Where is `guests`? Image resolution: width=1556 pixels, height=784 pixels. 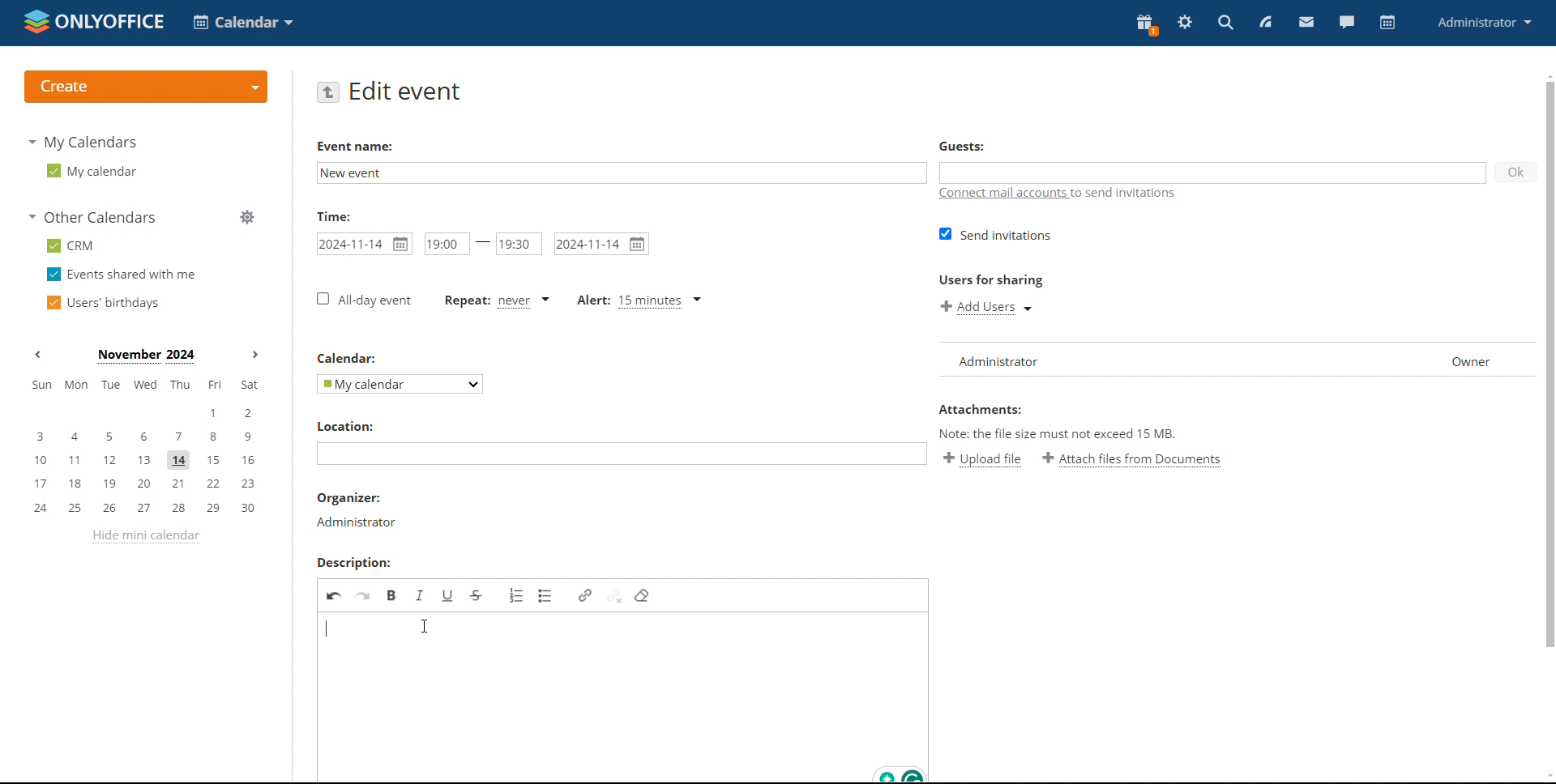 guests is located at coordinates (954, 145).